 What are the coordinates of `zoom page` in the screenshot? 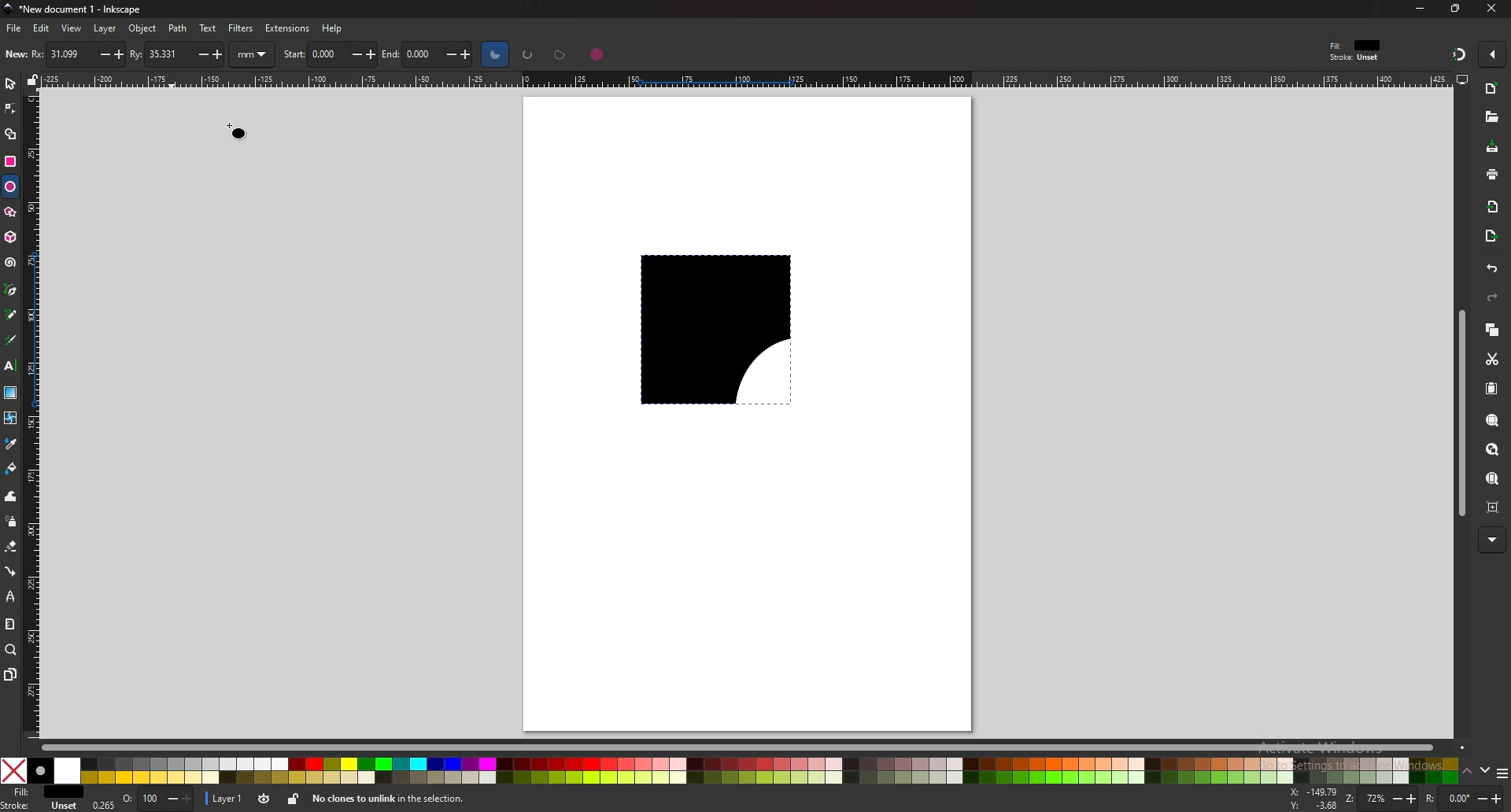 It's located at (1494, 478).